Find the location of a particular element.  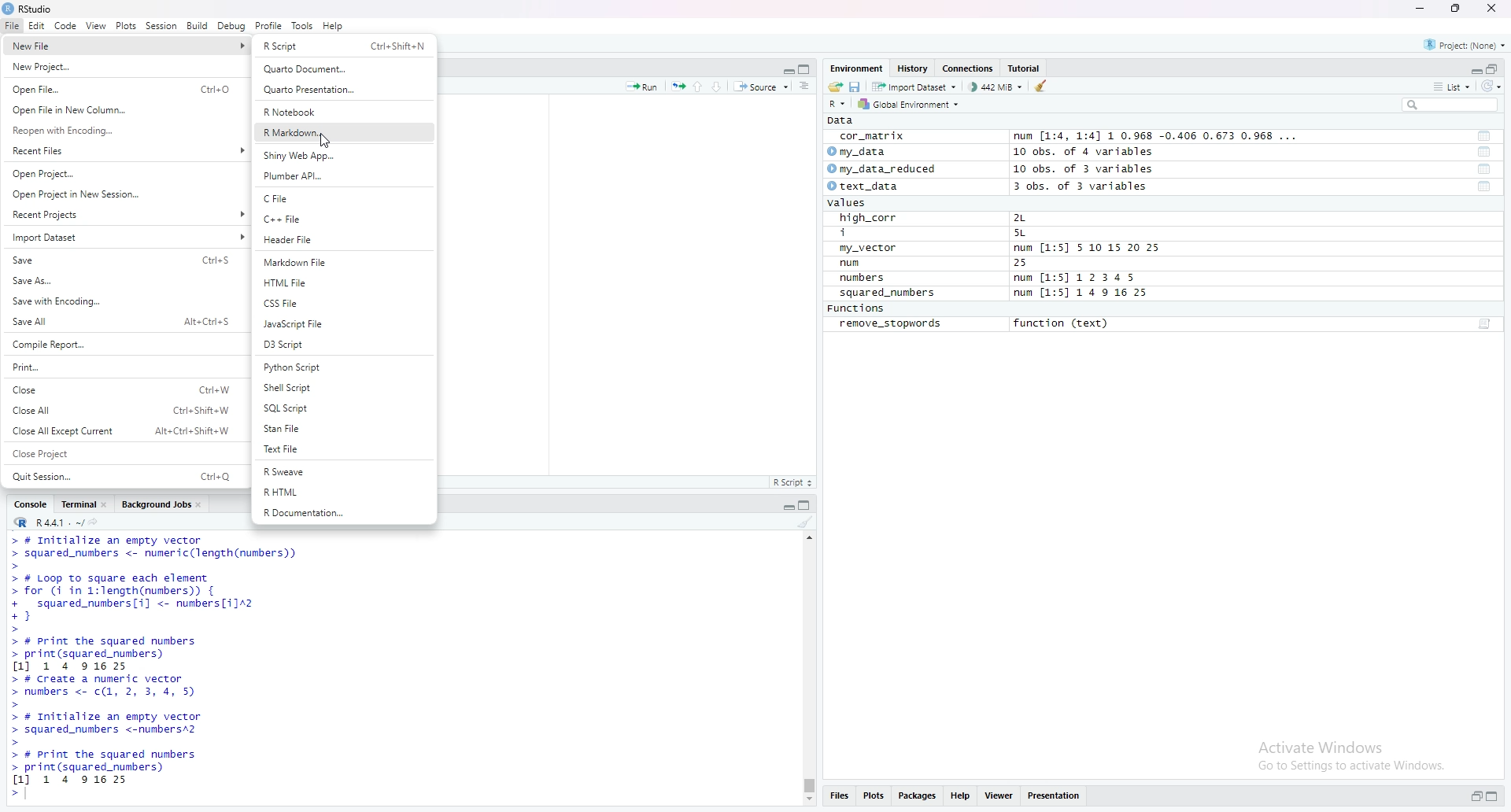

num [1:5] 1 4 9 16 25 is located at coordinates (1081, 293).